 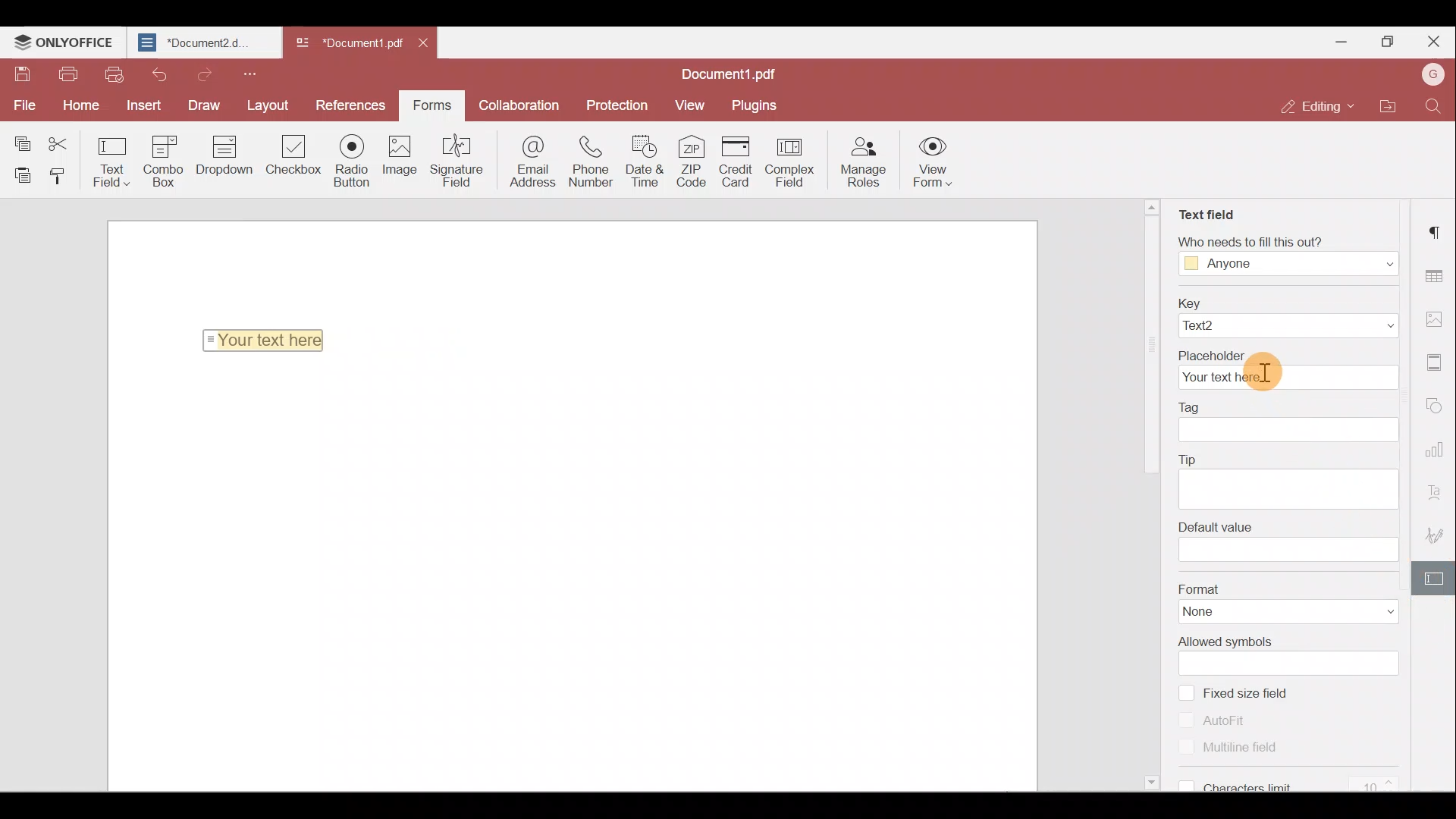 I want to click on View, so click(x=691, y=105).